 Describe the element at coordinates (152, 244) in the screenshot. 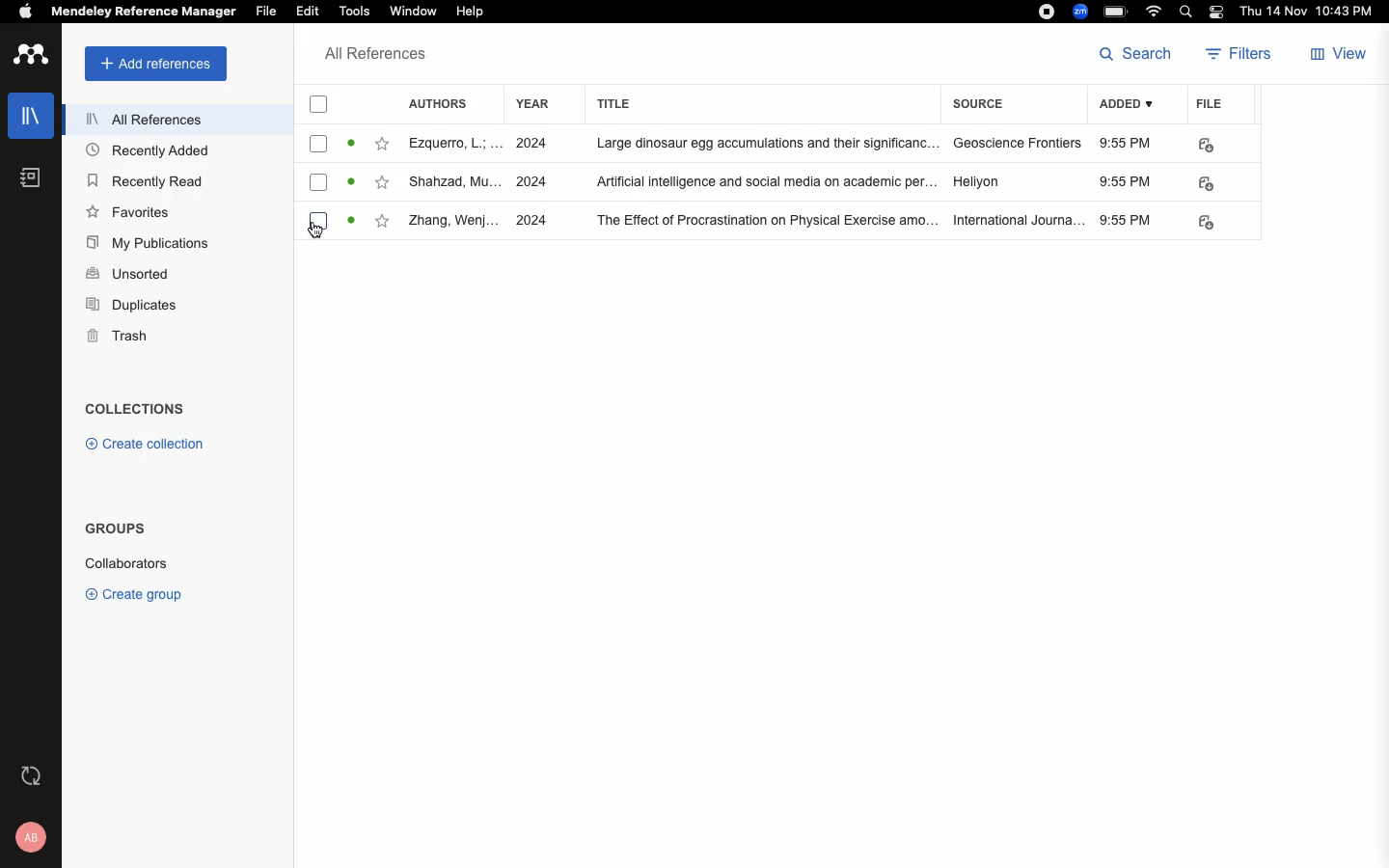

I see `My publications` at that location.